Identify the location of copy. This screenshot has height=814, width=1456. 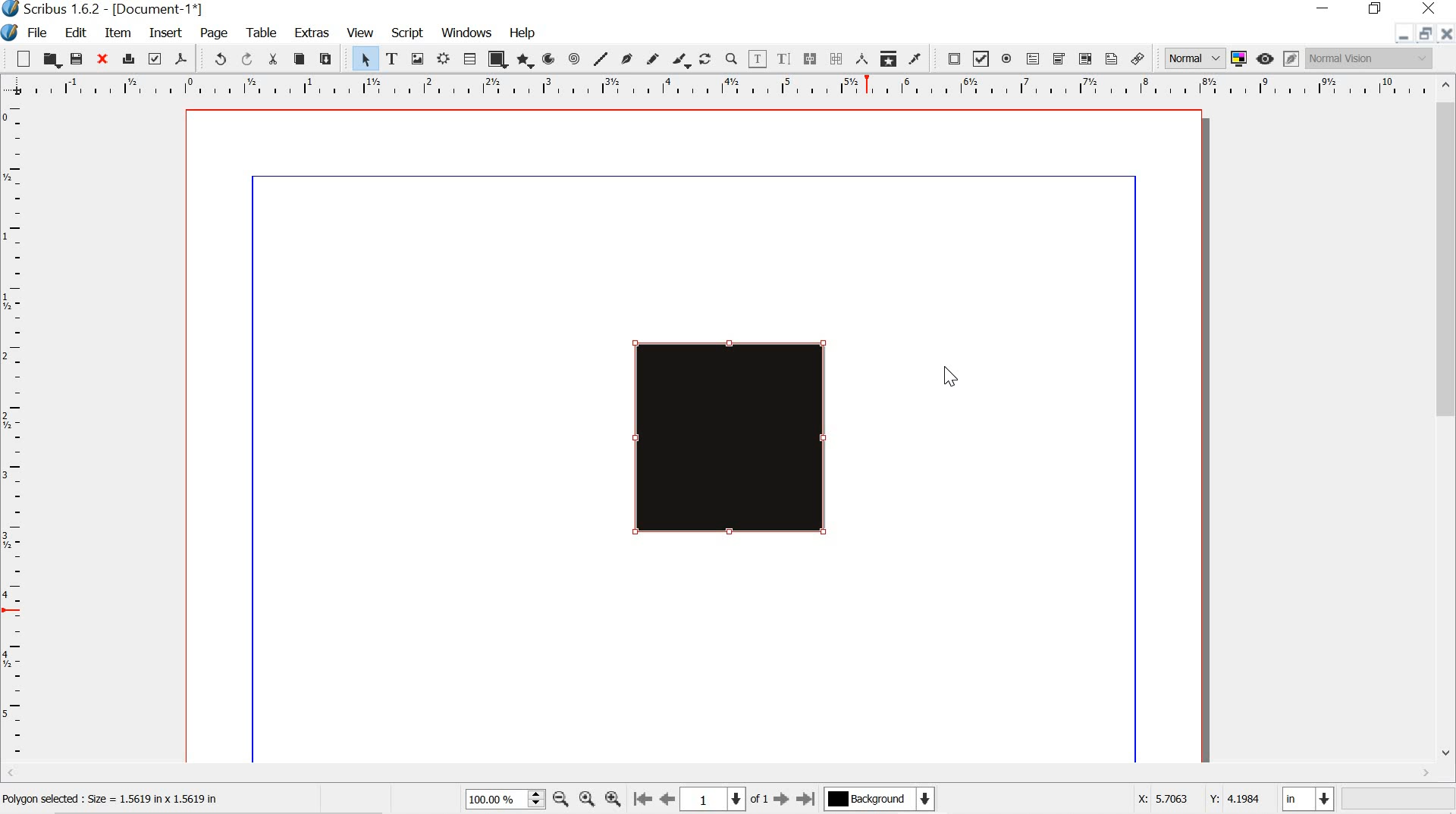
(299, 58).